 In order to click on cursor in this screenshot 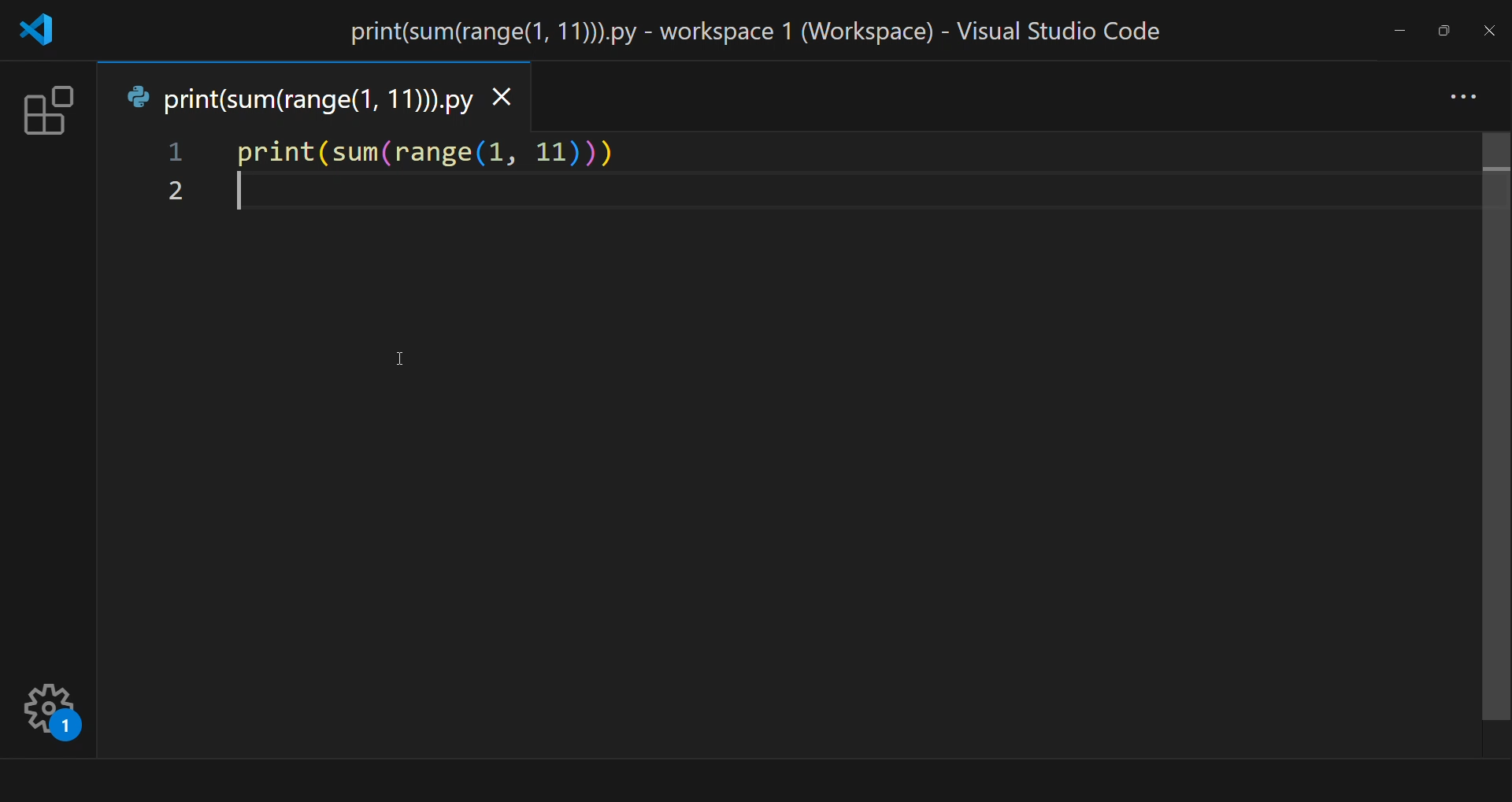, I will do `click(399, 357)`.